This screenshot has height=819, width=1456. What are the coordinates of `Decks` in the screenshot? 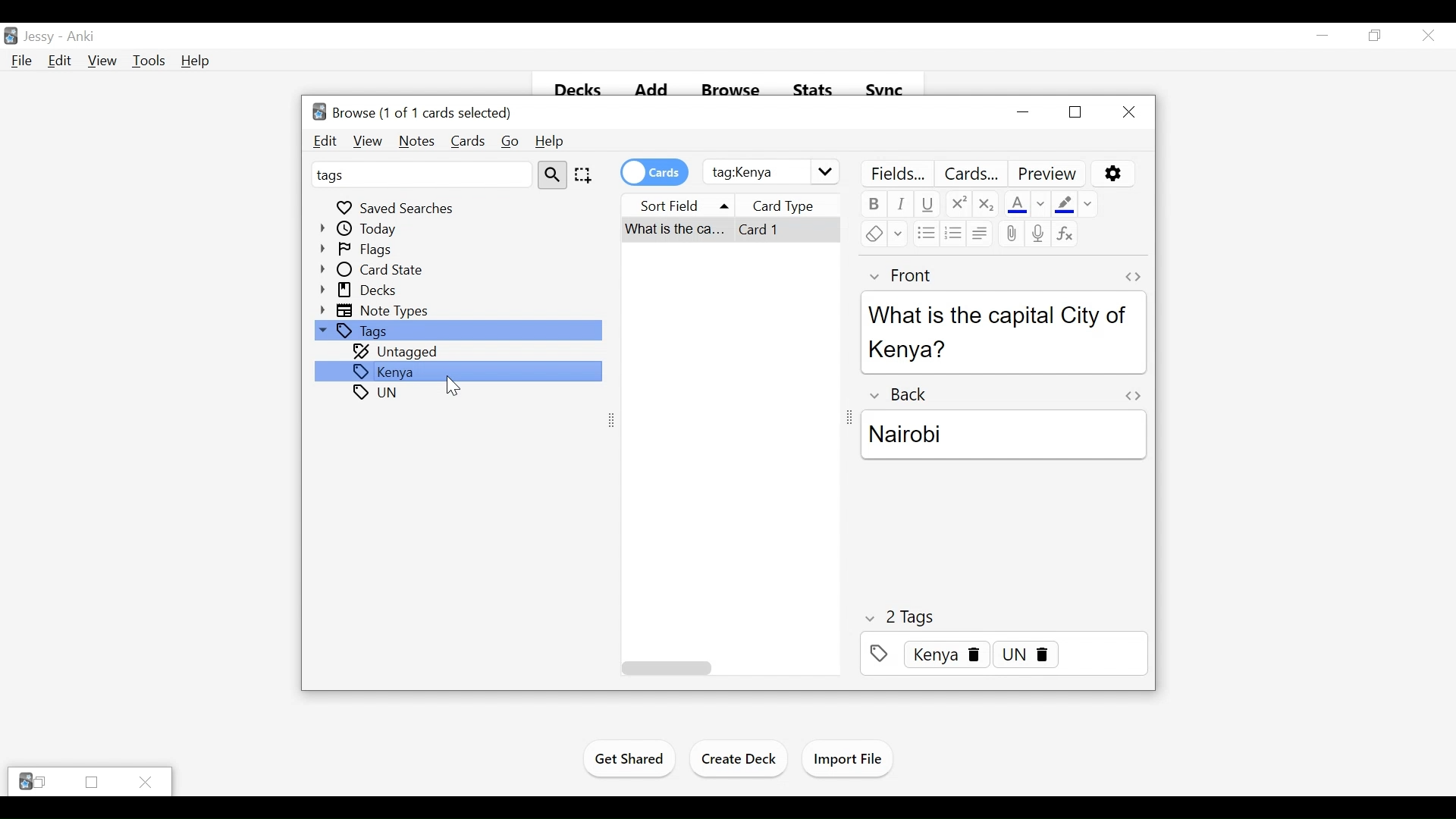 It's located at (360, 290).